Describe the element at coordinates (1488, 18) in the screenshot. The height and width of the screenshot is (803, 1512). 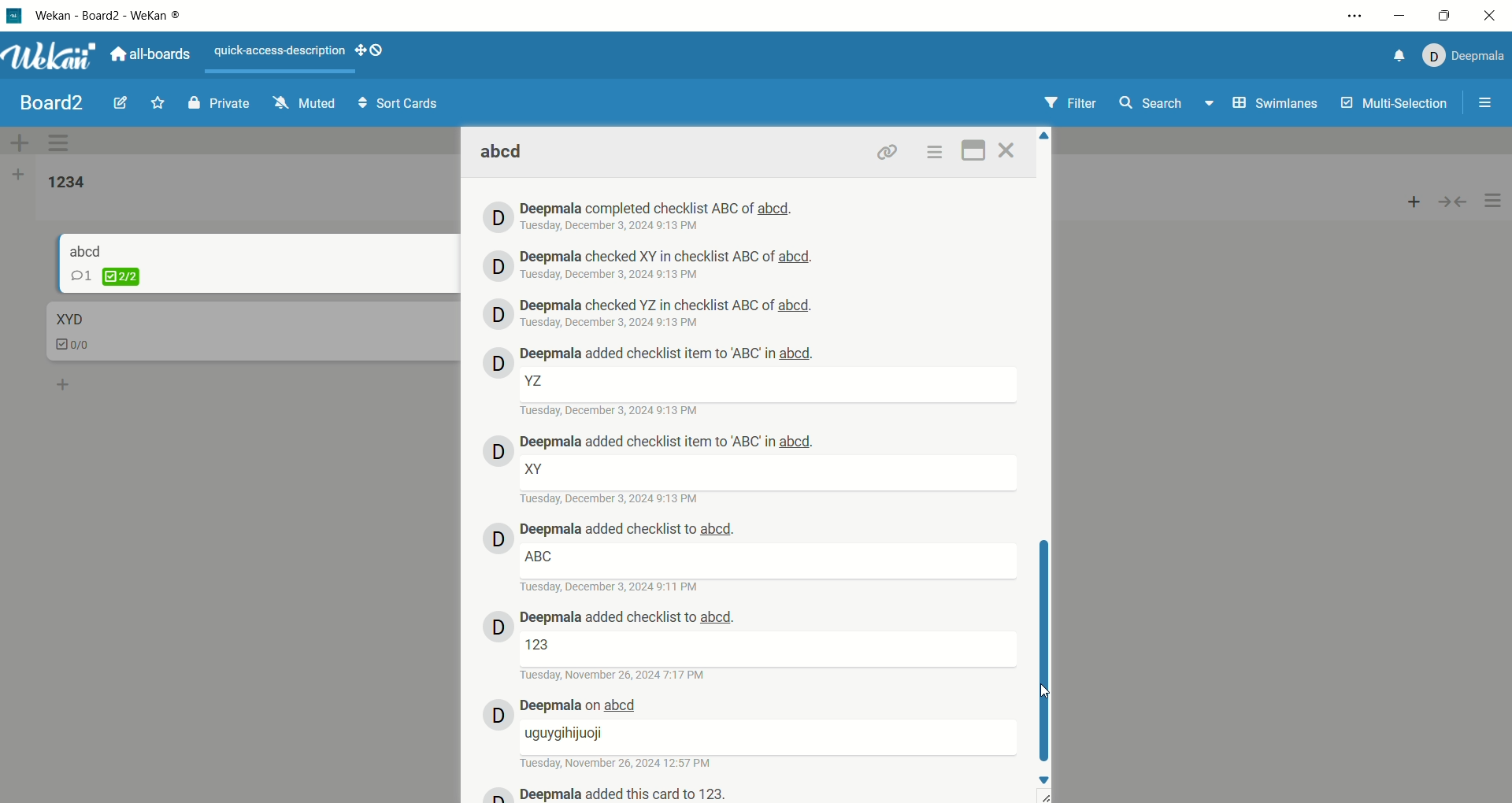
I see `close` at that location.